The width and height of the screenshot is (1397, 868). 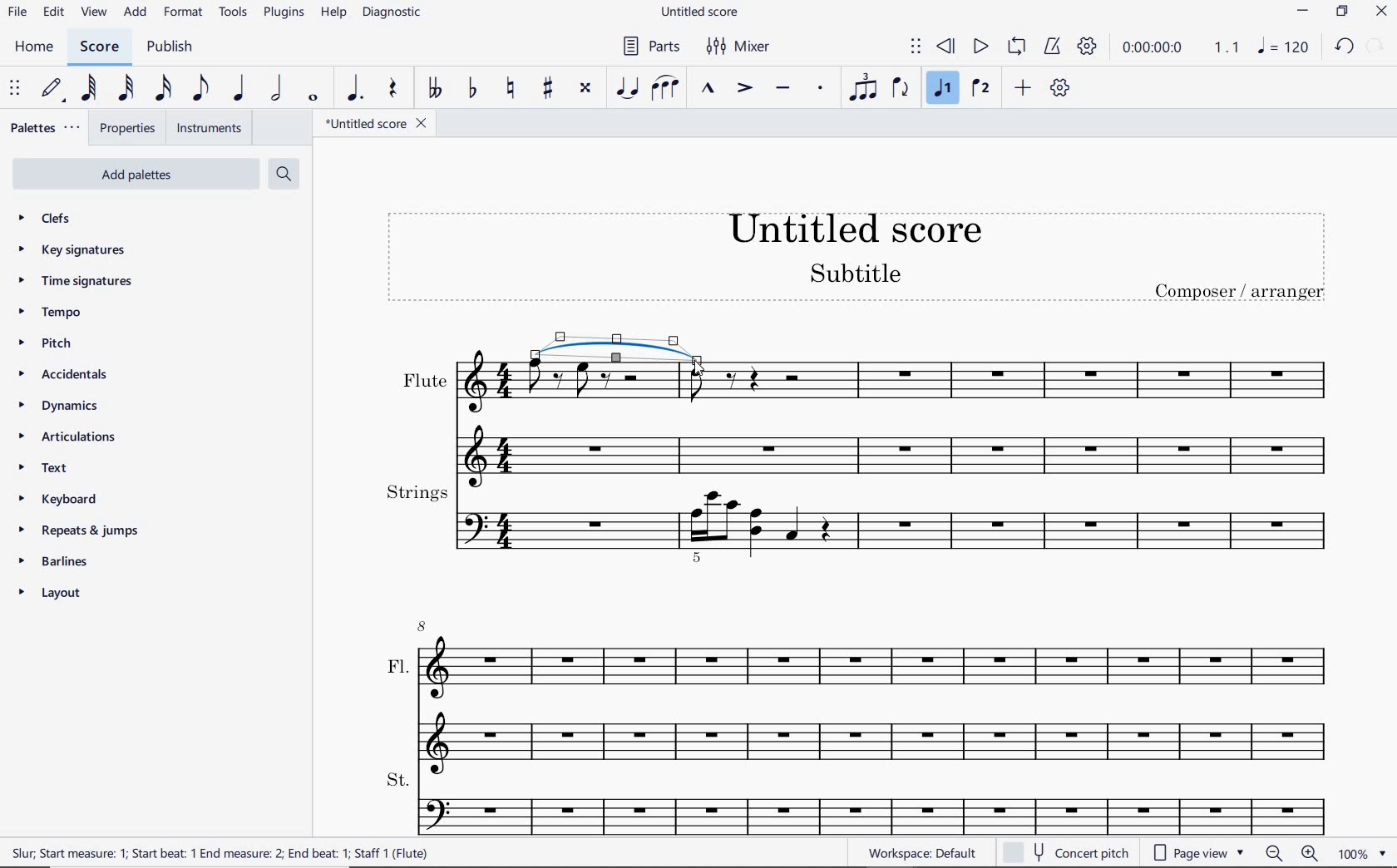 I want to click on file, so click(x=21, y=12).